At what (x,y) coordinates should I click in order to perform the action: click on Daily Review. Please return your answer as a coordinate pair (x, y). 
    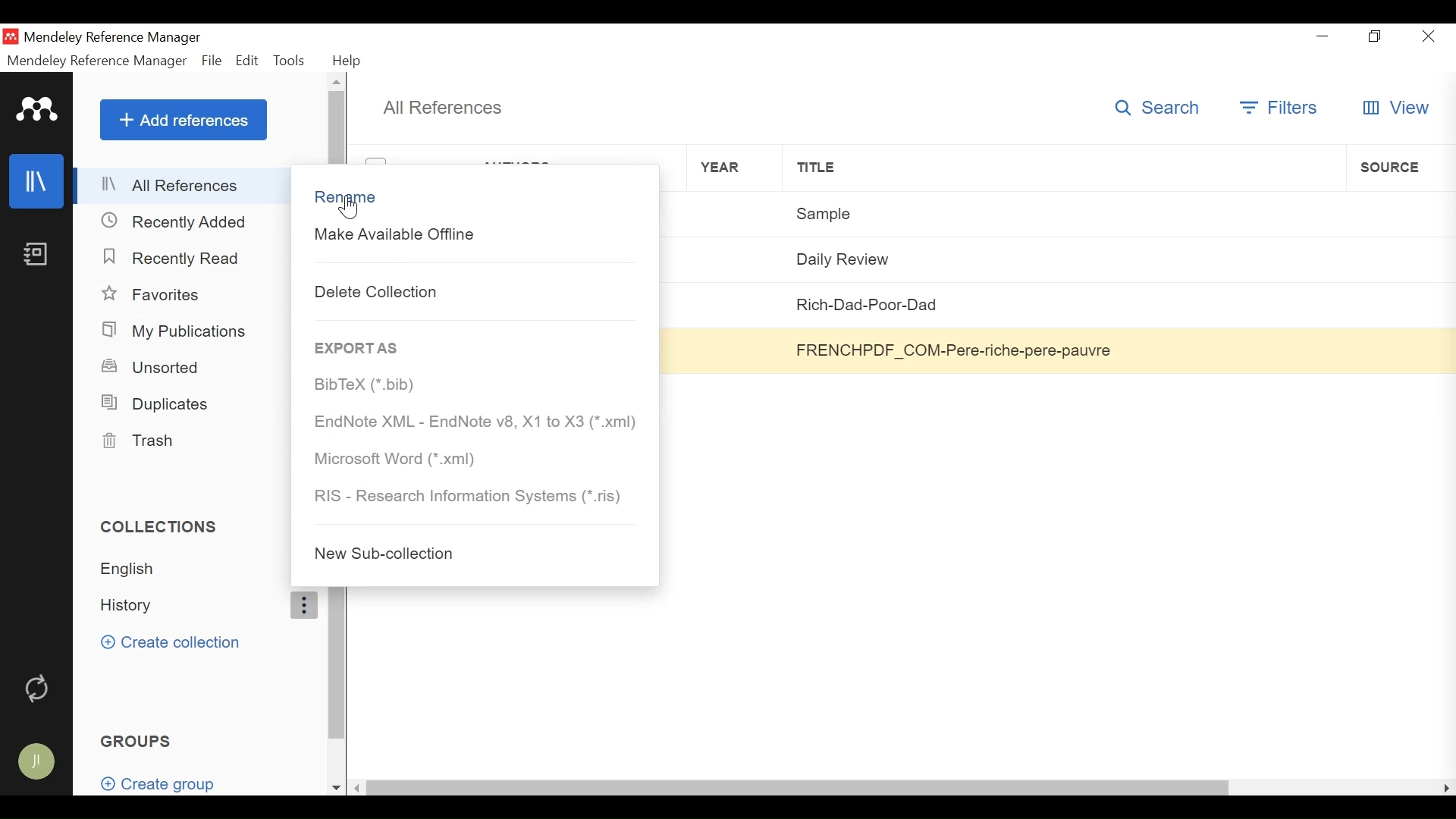
    Looking at the image, I should click on (1062, 257).